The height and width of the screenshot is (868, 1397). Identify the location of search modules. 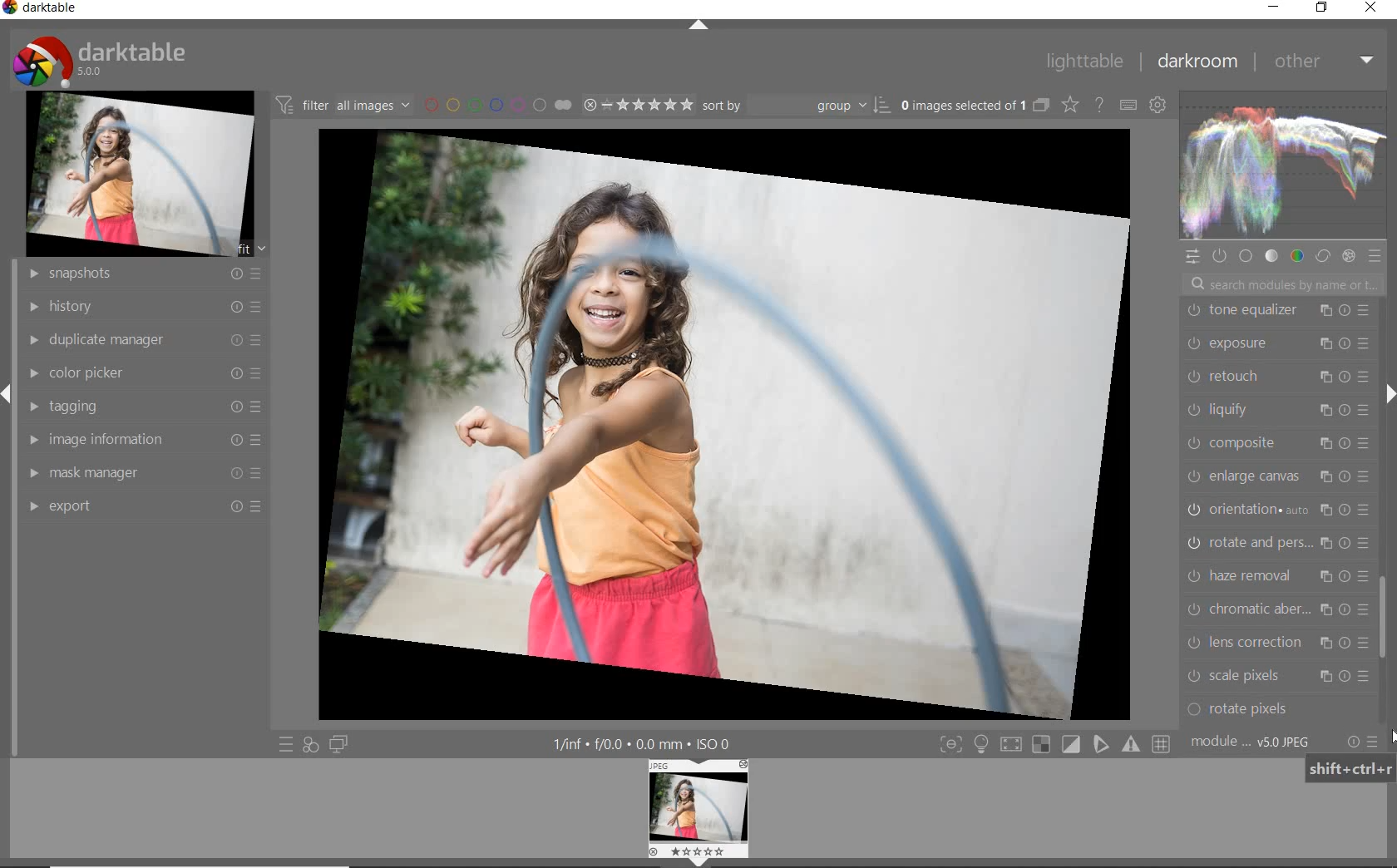
(1277, 286).